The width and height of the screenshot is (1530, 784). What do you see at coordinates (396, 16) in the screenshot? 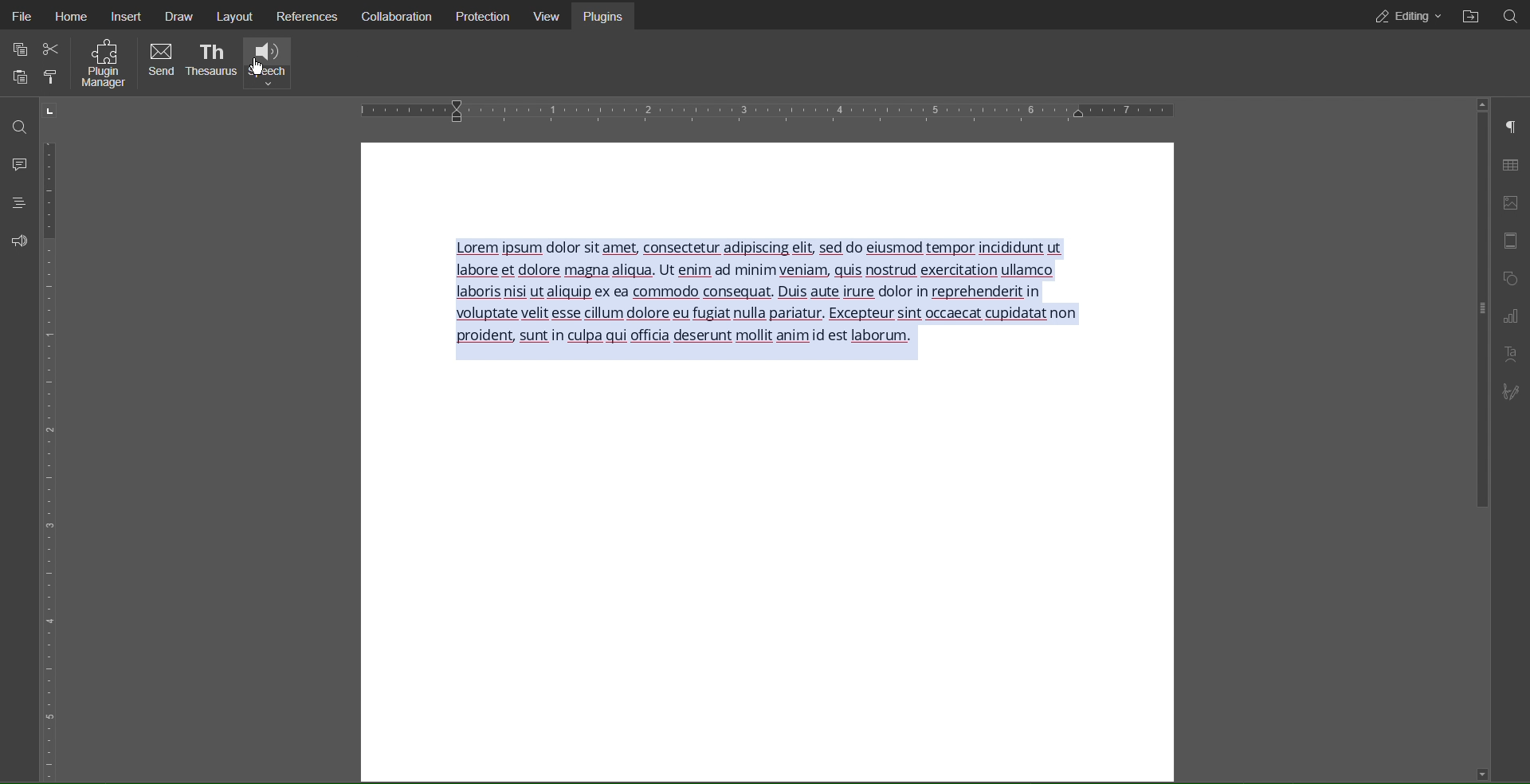
I see `Collaboration` at bounding box center [396, 16].